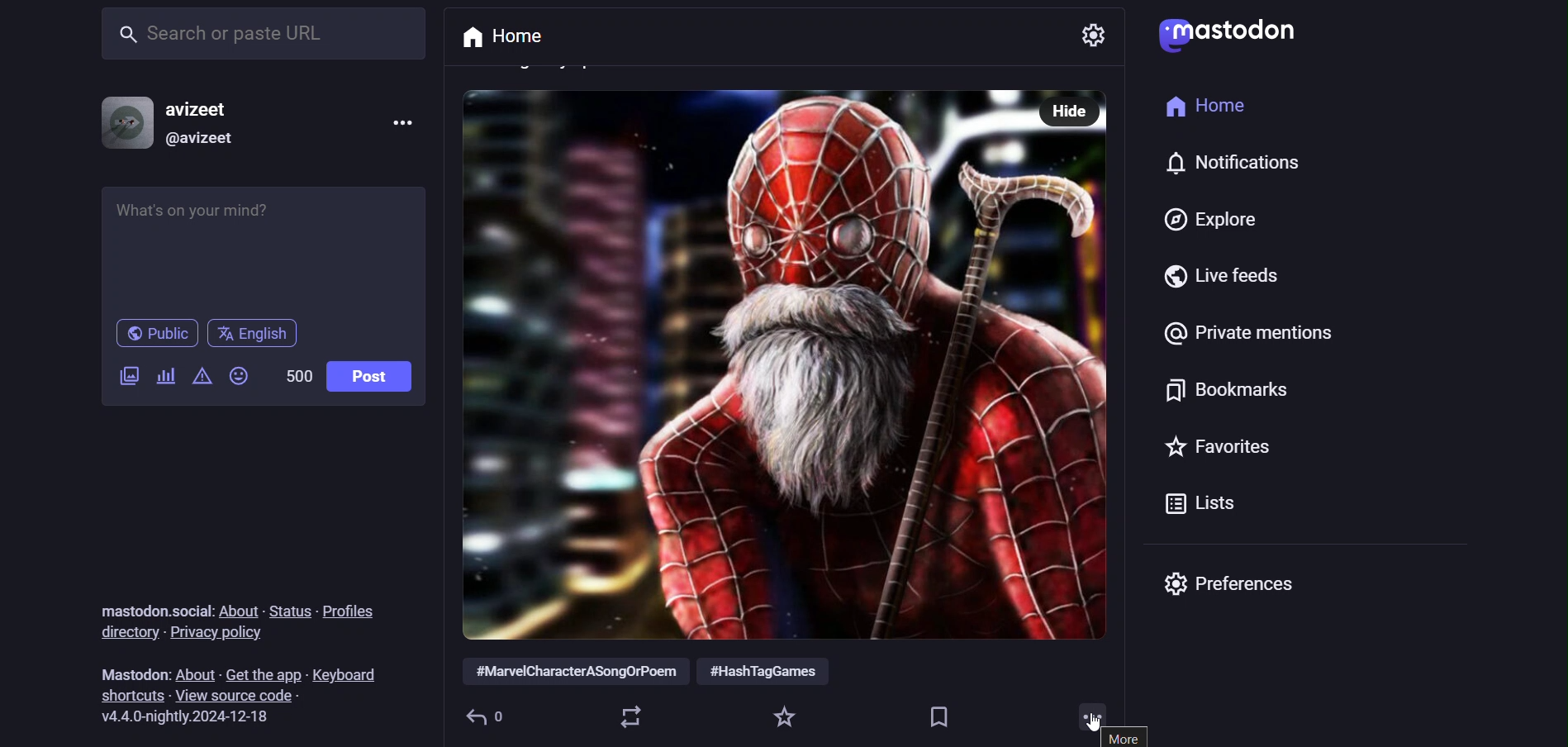 The width and height of the screenshot is (1568, 747). Describe the element at coordinates (125, 633) in the screenshot. I see `directory` at that location.